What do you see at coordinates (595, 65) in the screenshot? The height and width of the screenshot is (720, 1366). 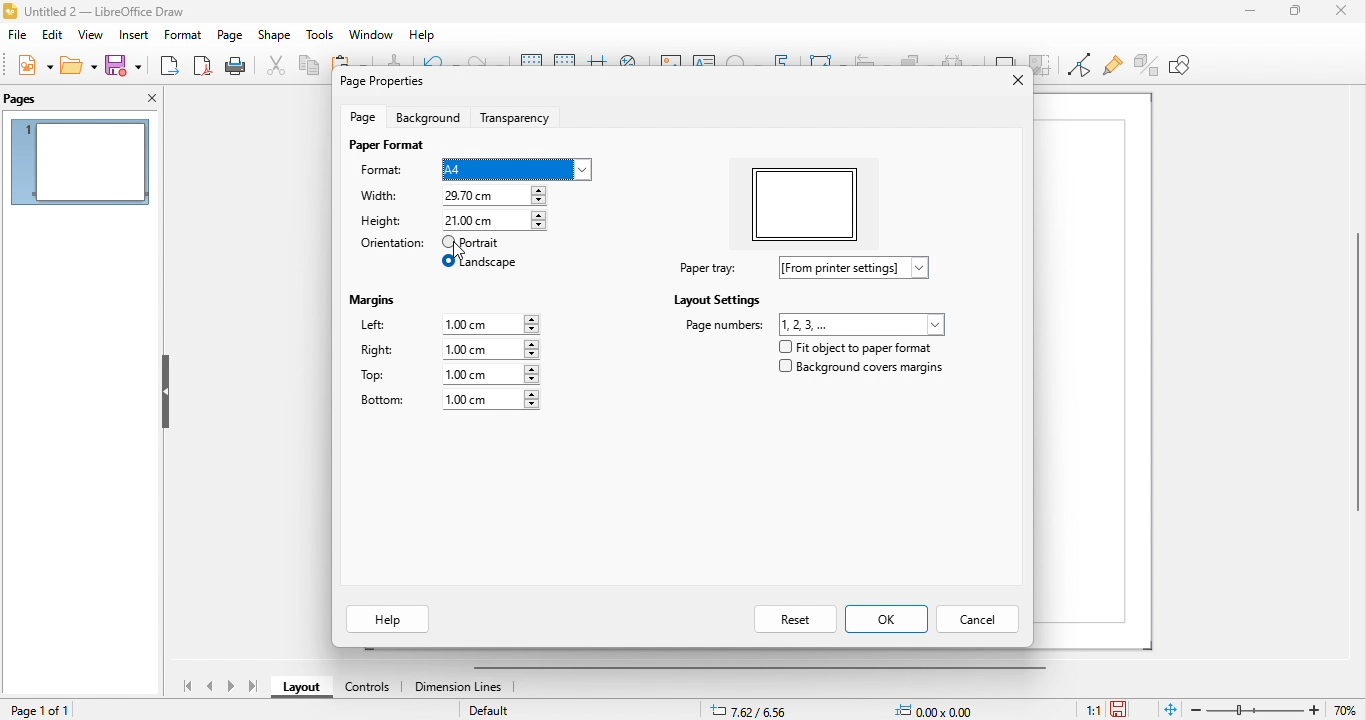 I see `helplines while moving` at bounding box center [595, 65].